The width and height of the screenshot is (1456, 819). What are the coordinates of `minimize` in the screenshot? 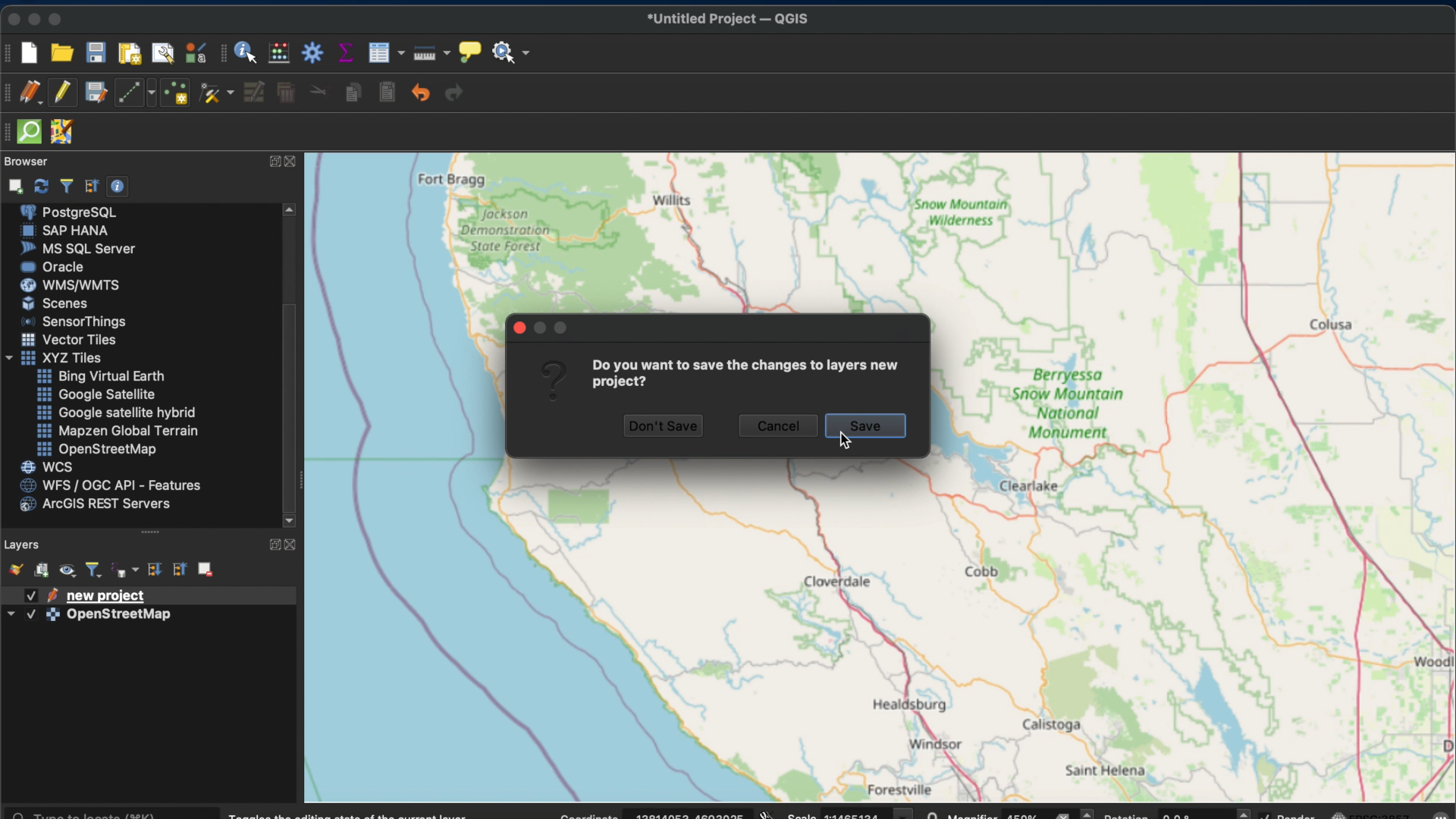 It's located at (36, 19).